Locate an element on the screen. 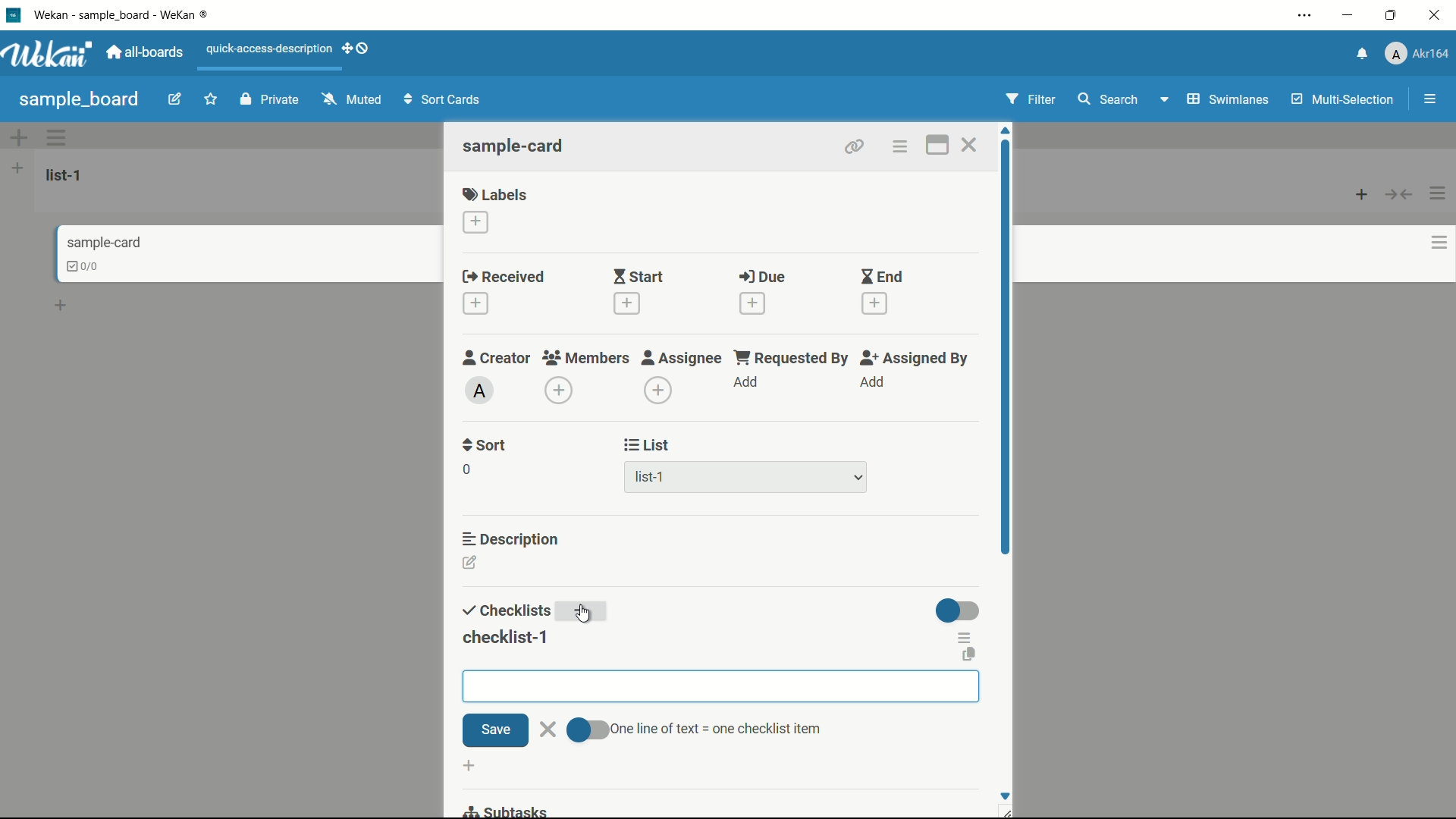 Image resolution: width=1456 pixels, height=819 pixels. add date is located at coordinates (875, 304).